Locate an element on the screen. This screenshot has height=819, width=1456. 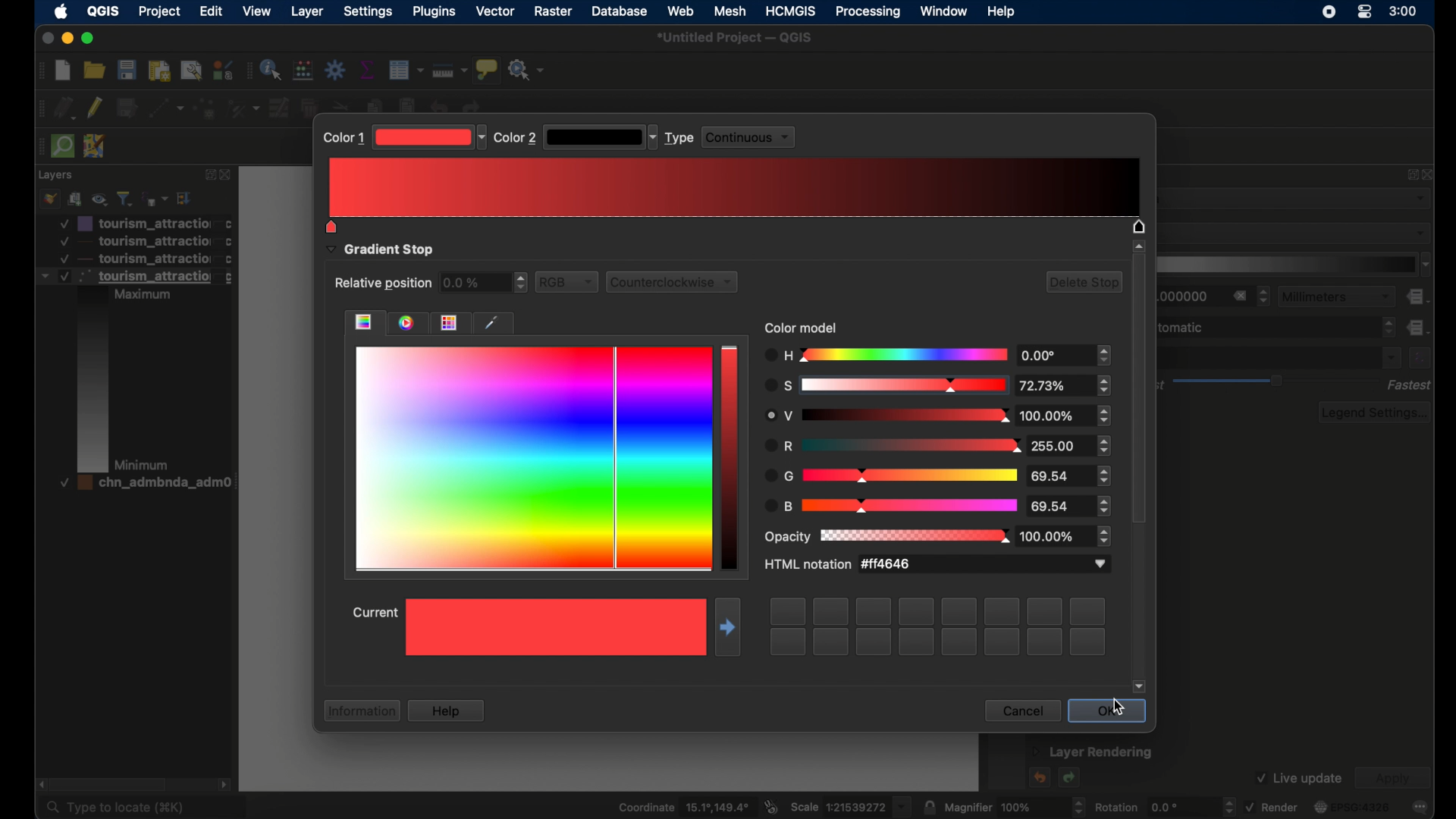
help is located at coordinates (447, 710).